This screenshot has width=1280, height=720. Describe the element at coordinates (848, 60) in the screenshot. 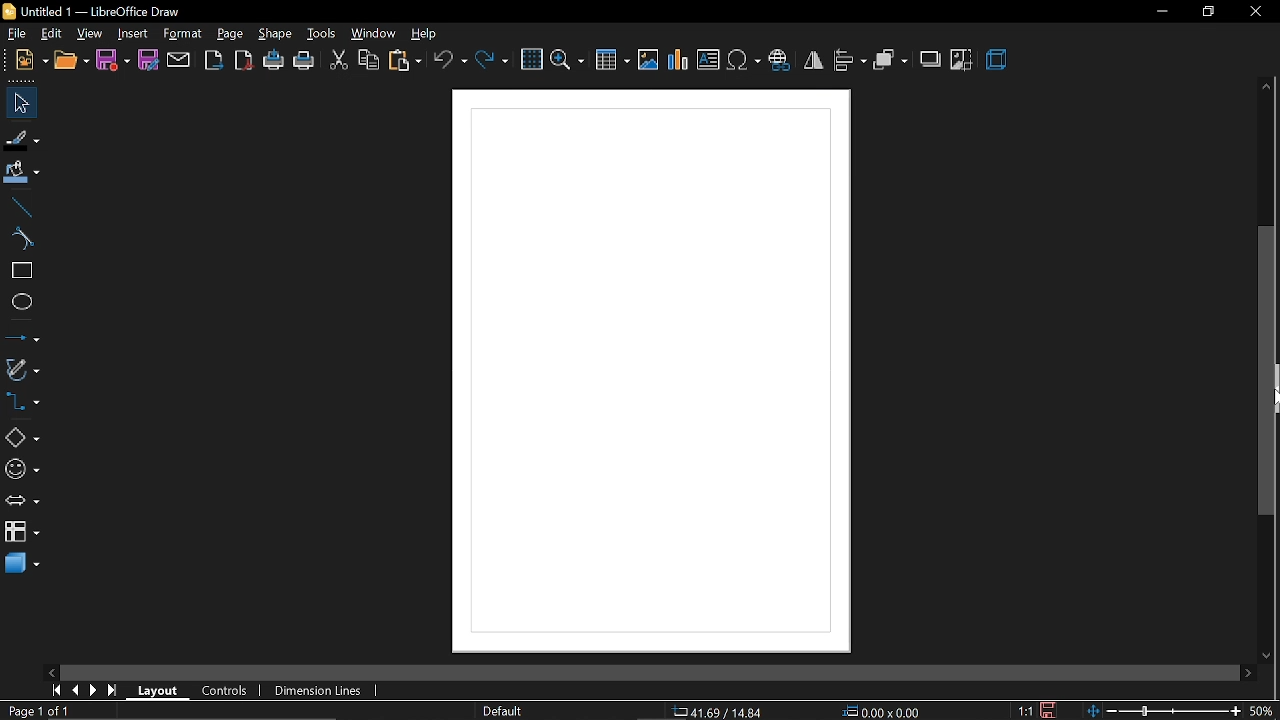

I see `align` at that location.